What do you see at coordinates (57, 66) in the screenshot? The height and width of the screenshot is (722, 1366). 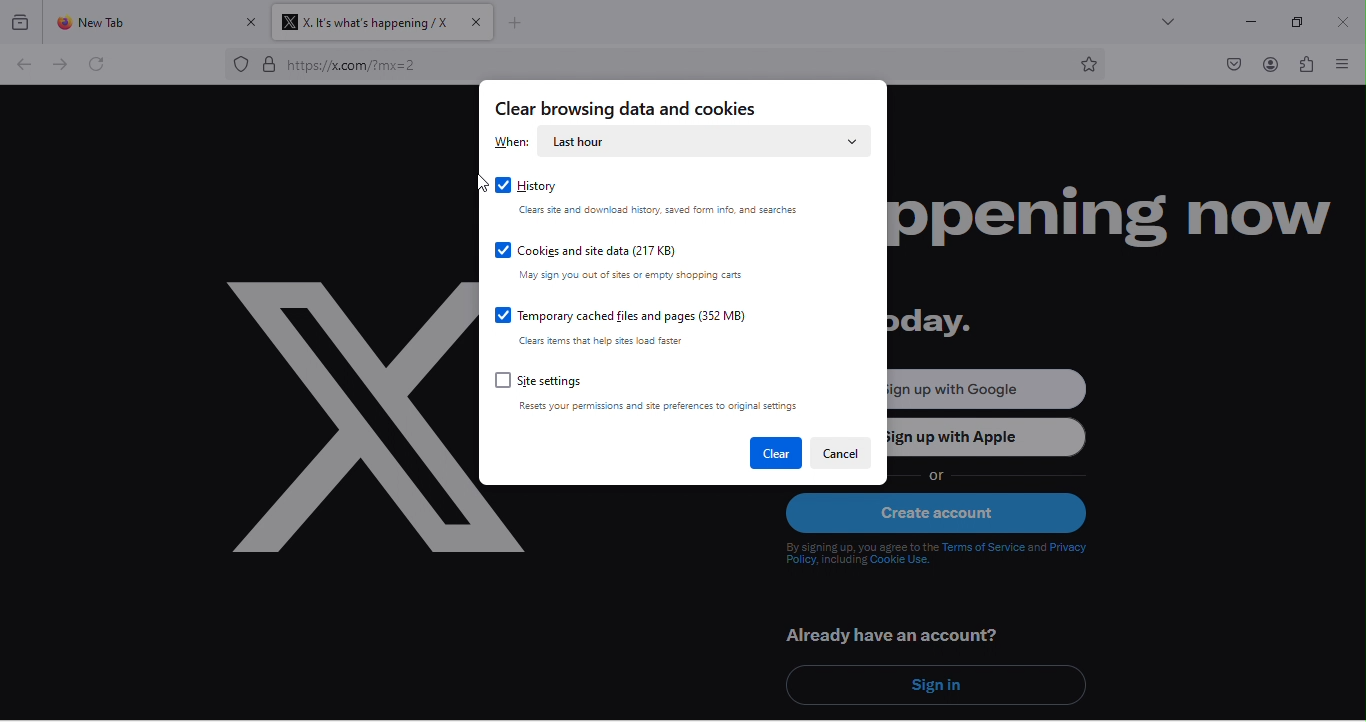 I see `forward` at bounding box center [57, 66].